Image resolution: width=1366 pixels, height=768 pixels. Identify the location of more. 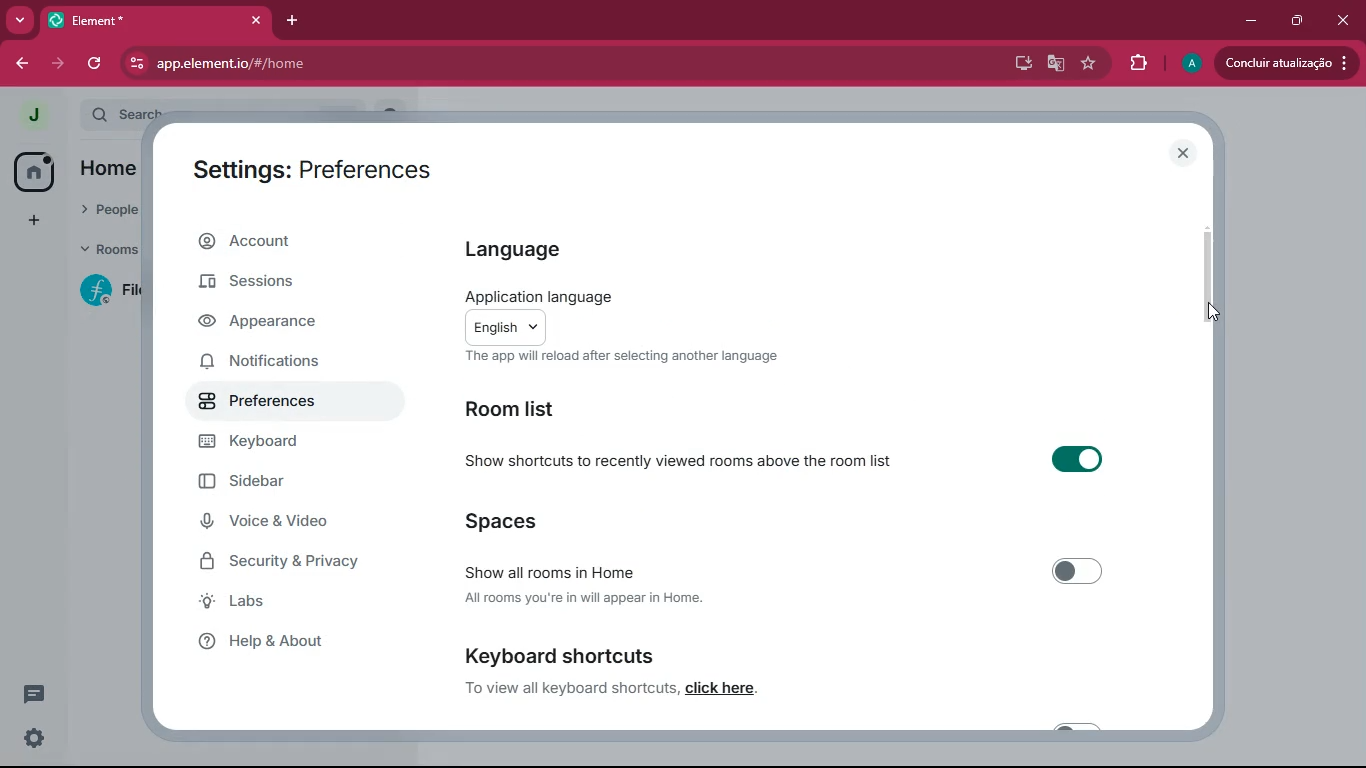
(20, 21).